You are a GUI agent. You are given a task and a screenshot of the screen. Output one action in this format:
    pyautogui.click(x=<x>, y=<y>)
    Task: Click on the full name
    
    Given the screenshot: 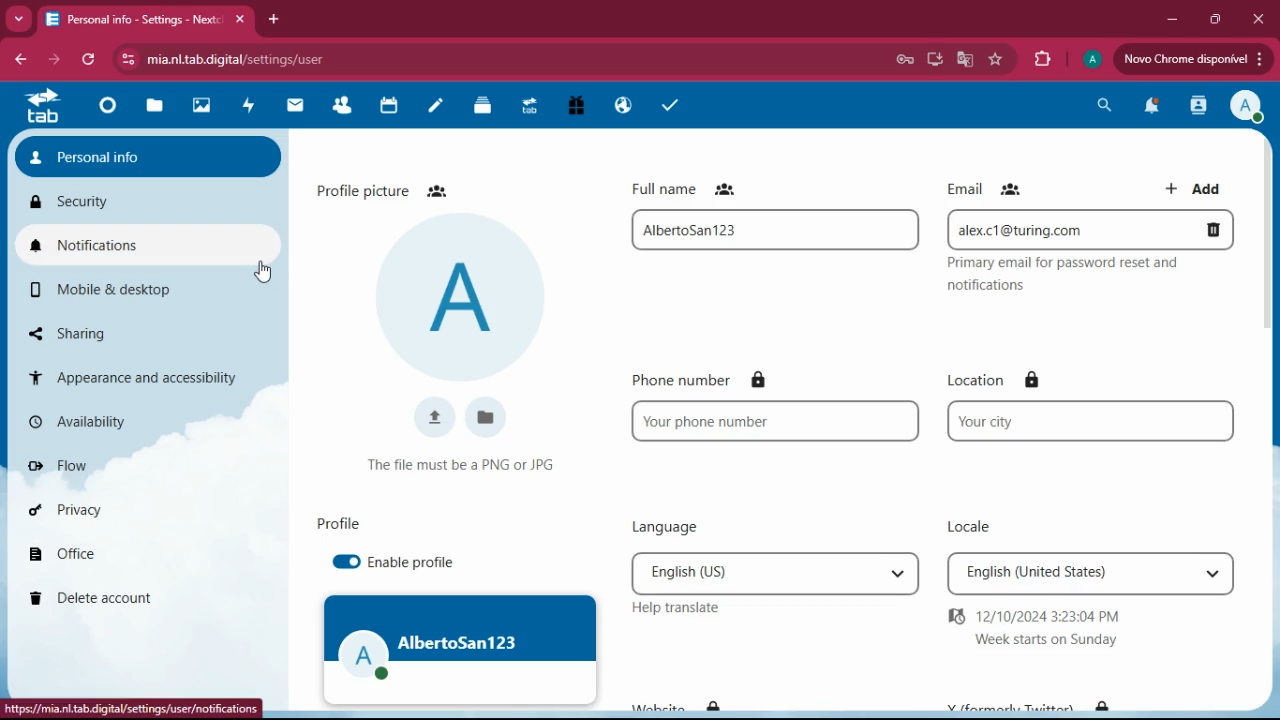 What is the action you would take?
    pyautogui.click(x=697, y=188)
    